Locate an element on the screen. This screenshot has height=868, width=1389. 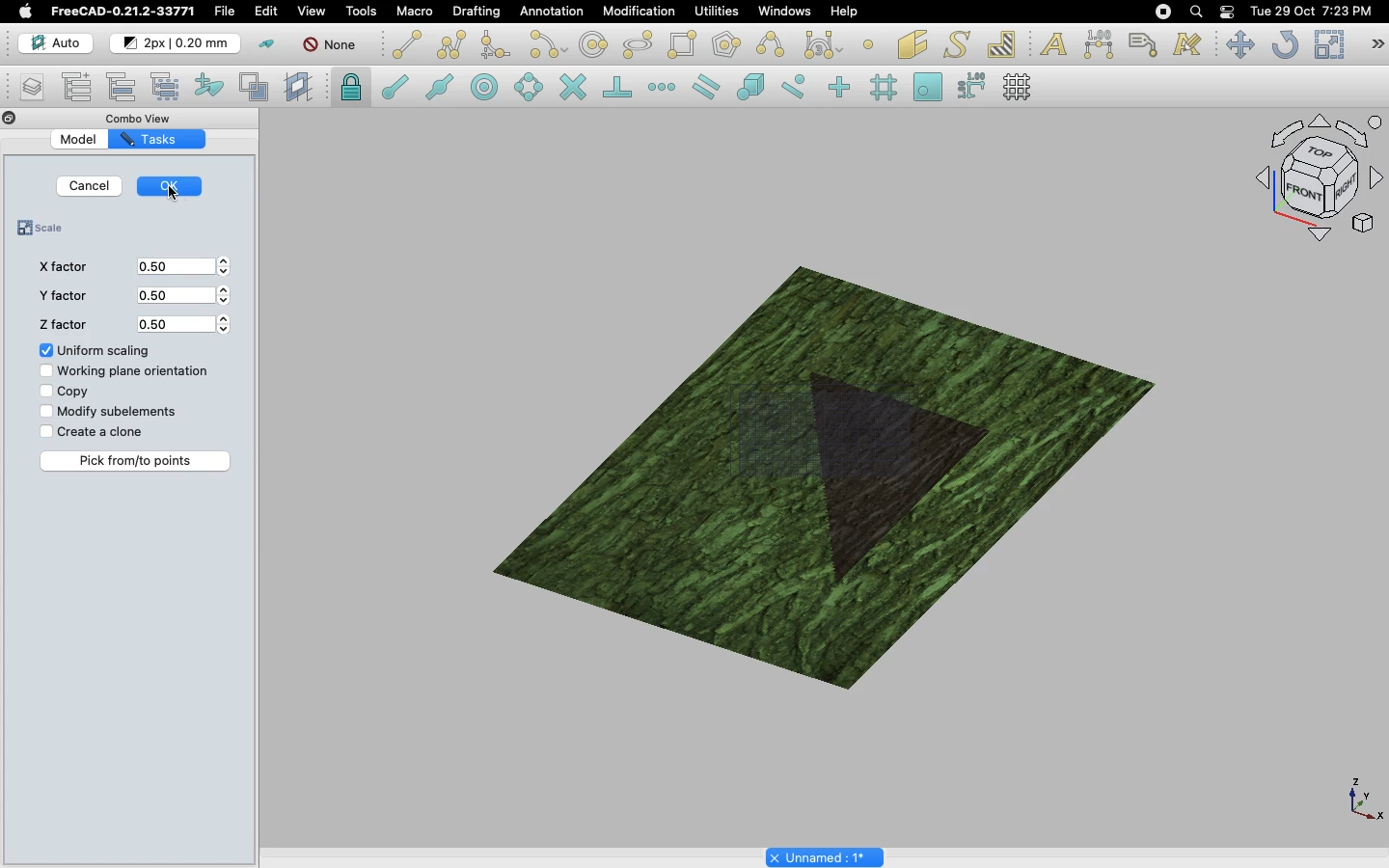
Project name is located at coordinates (825, 856).